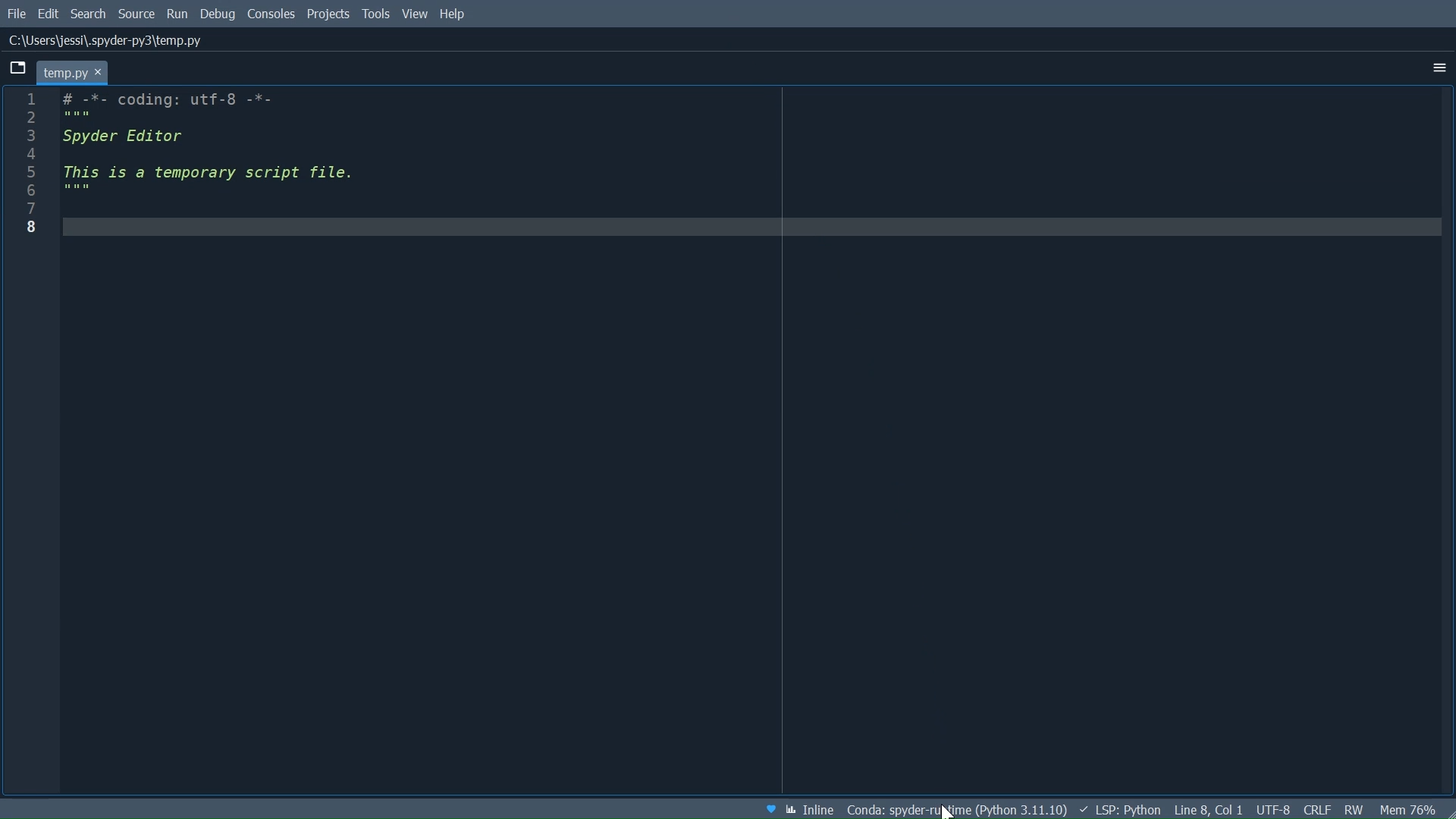 This screenshot has width=1456, height=819. Describe the element at coordinates (23, 440) in the screenshot. I see `Line column` at that location.